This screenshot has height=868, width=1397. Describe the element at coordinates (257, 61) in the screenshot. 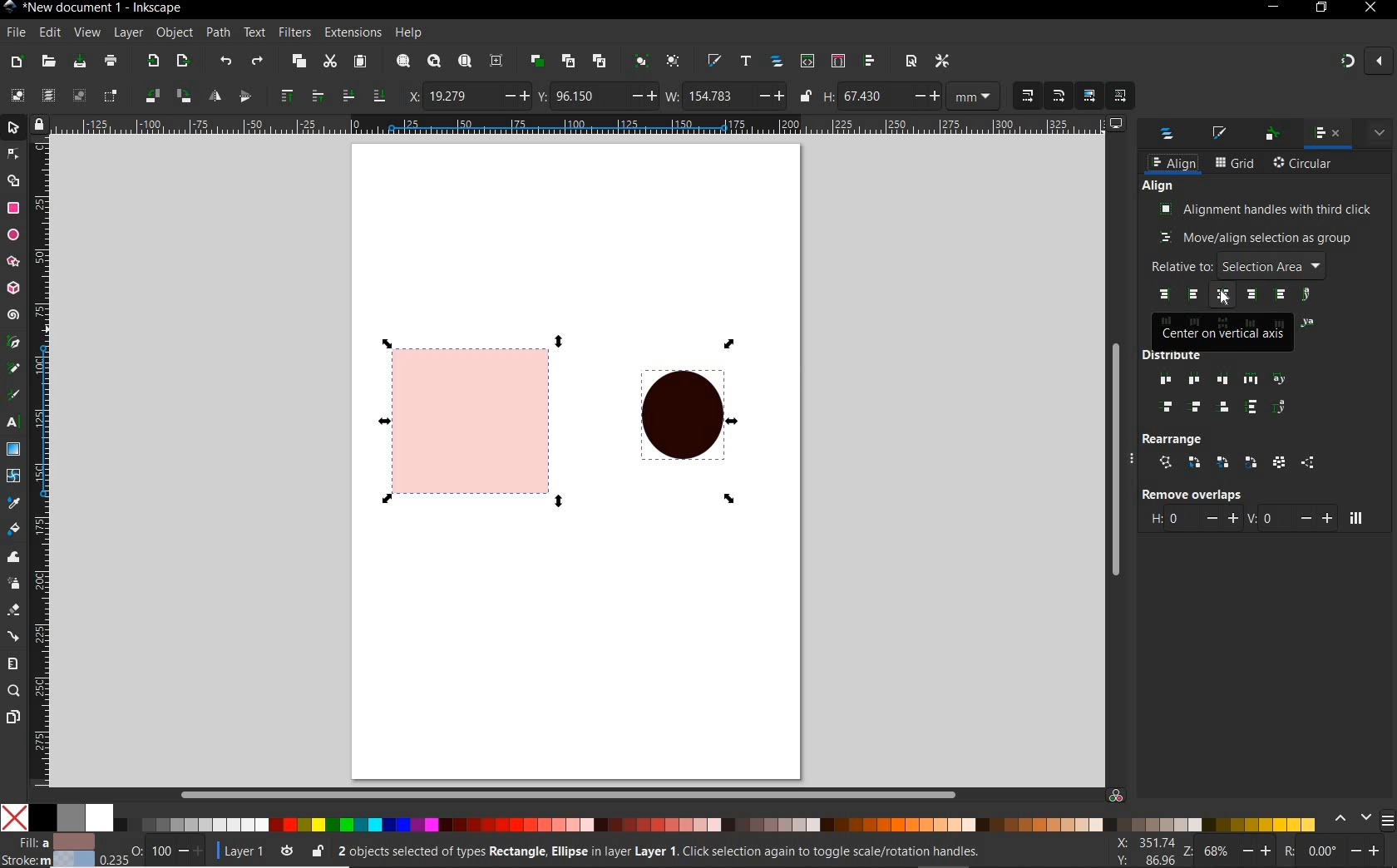

I see `redo` at that location.